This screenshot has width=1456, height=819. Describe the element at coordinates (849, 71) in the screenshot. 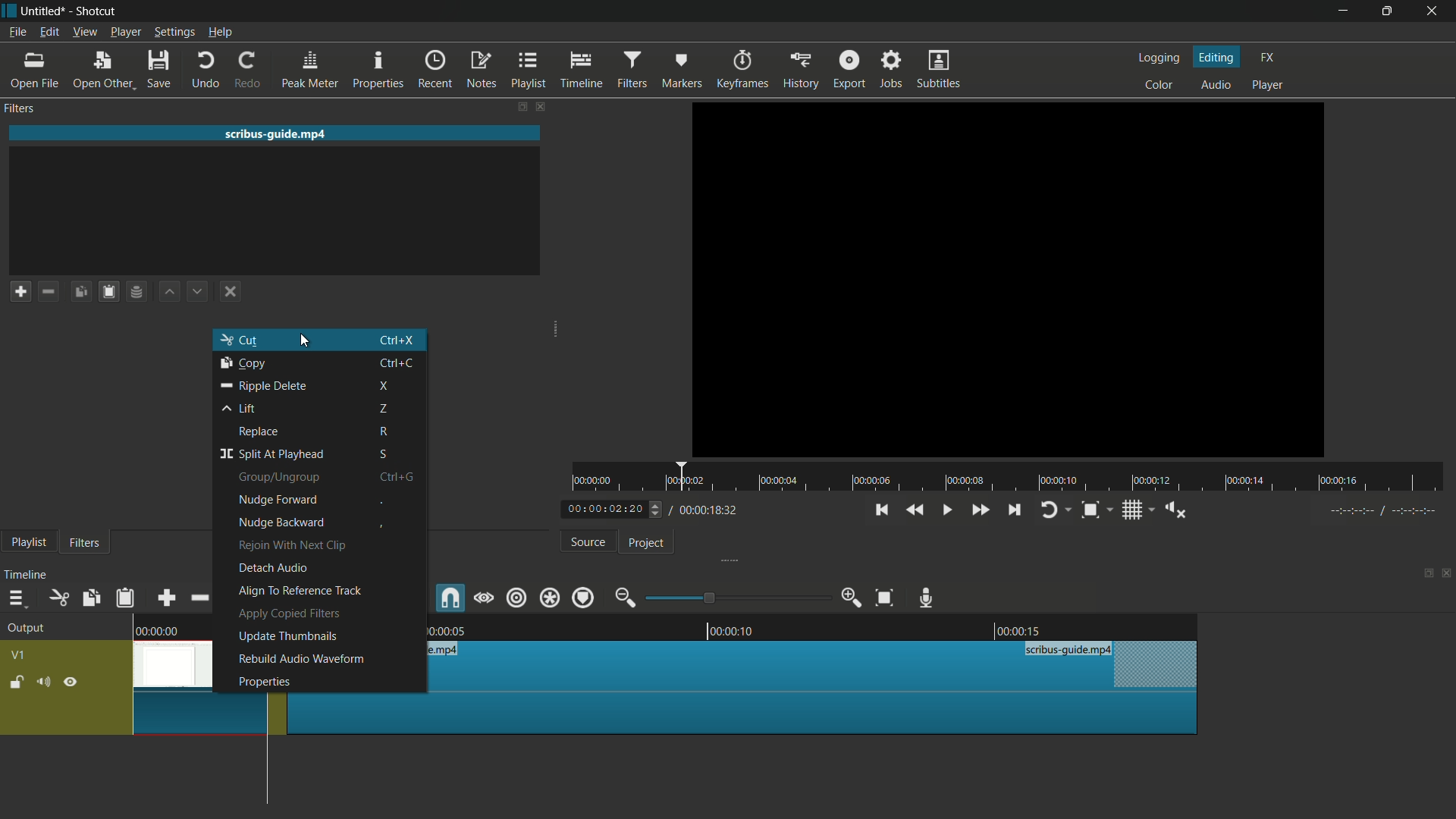

I see `export` at that location.